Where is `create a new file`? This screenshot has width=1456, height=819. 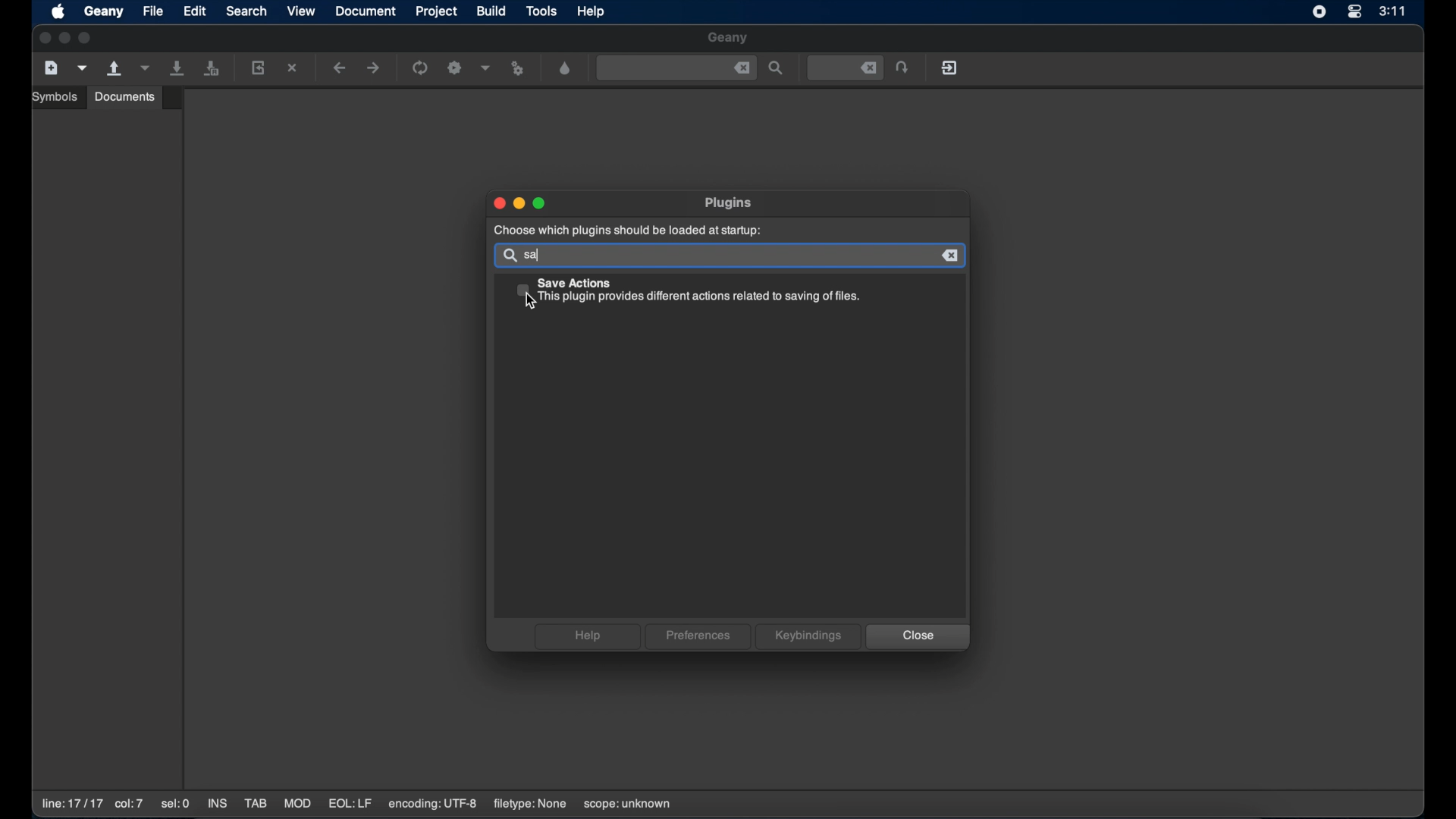
create a new file is located at coordinates (52, 68).